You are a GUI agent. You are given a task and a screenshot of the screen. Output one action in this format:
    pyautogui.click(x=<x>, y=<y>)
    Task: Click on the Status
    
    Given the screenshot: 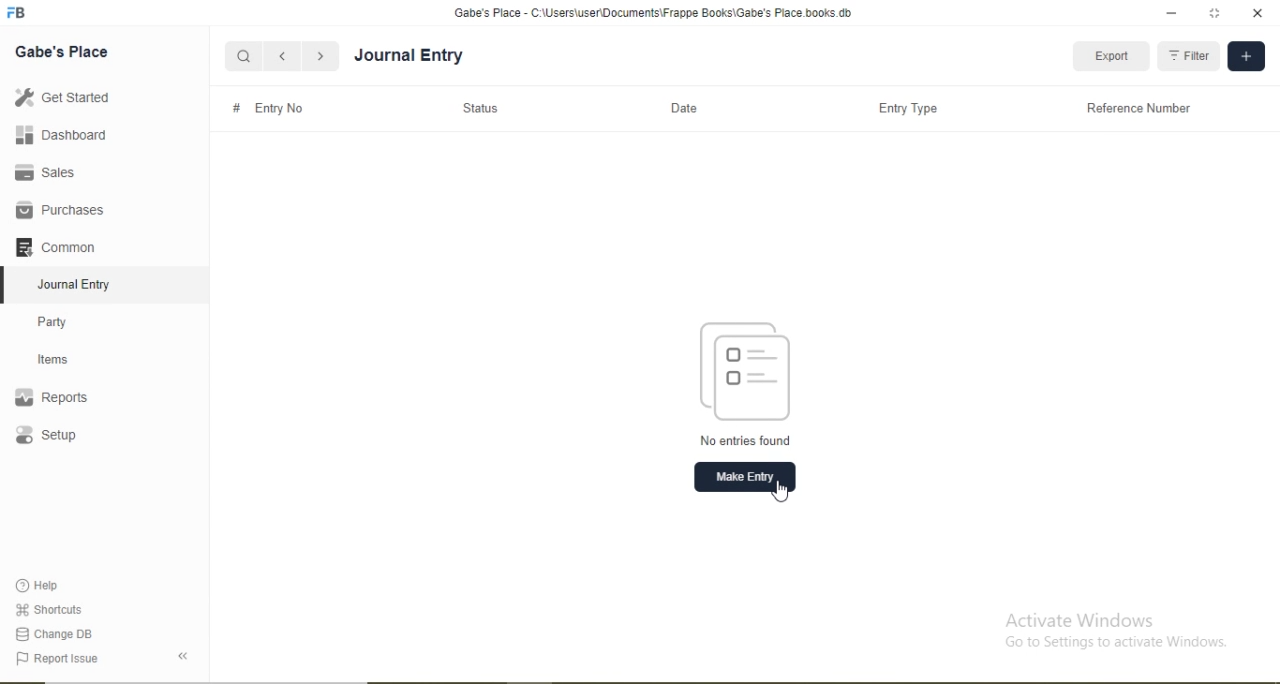 What is the action you would take?
    pyautogui.click(x=485, y=109)
    